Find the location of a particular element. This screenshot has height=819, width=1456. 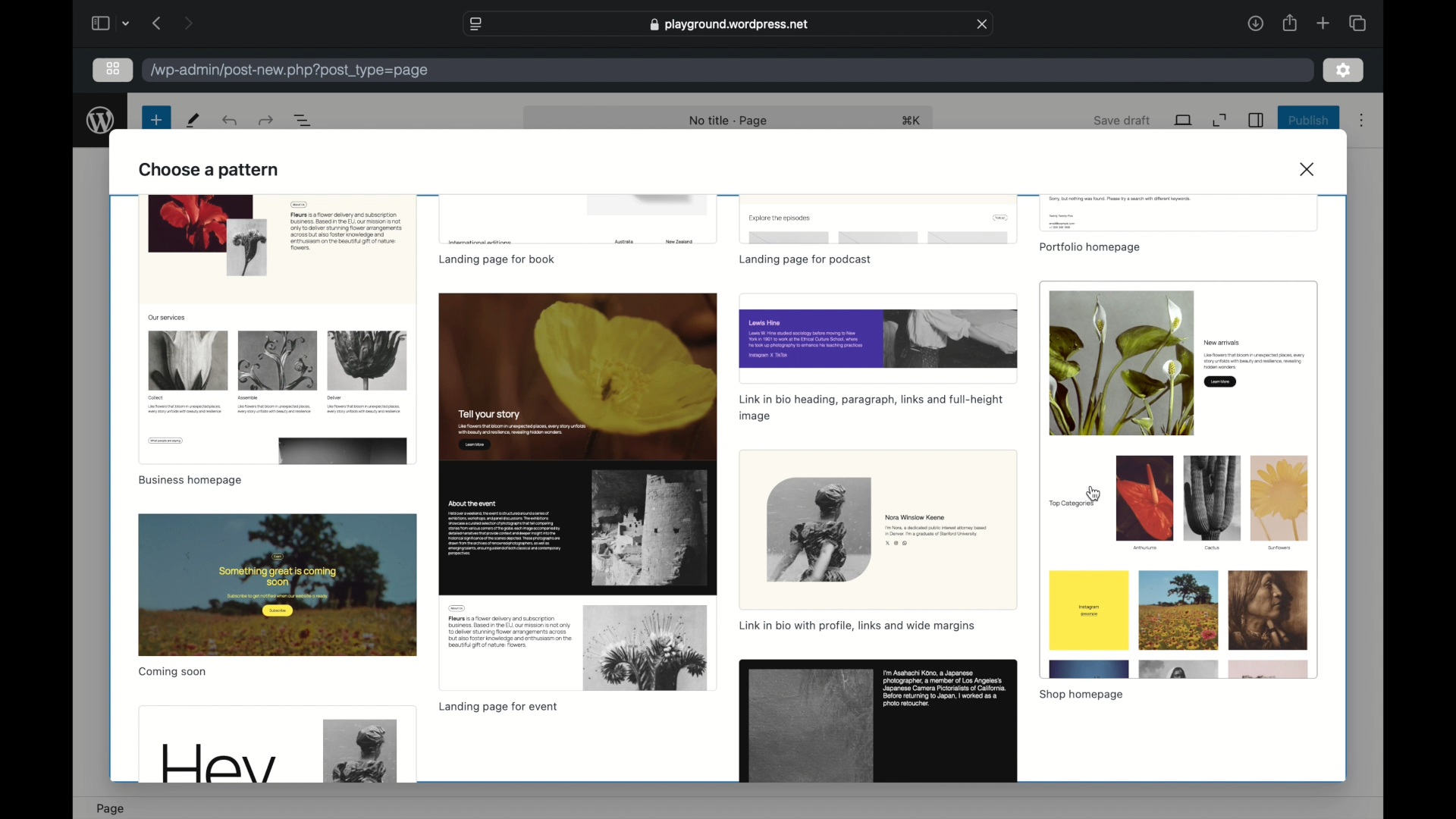

preview is located at coordinates (278, 585).